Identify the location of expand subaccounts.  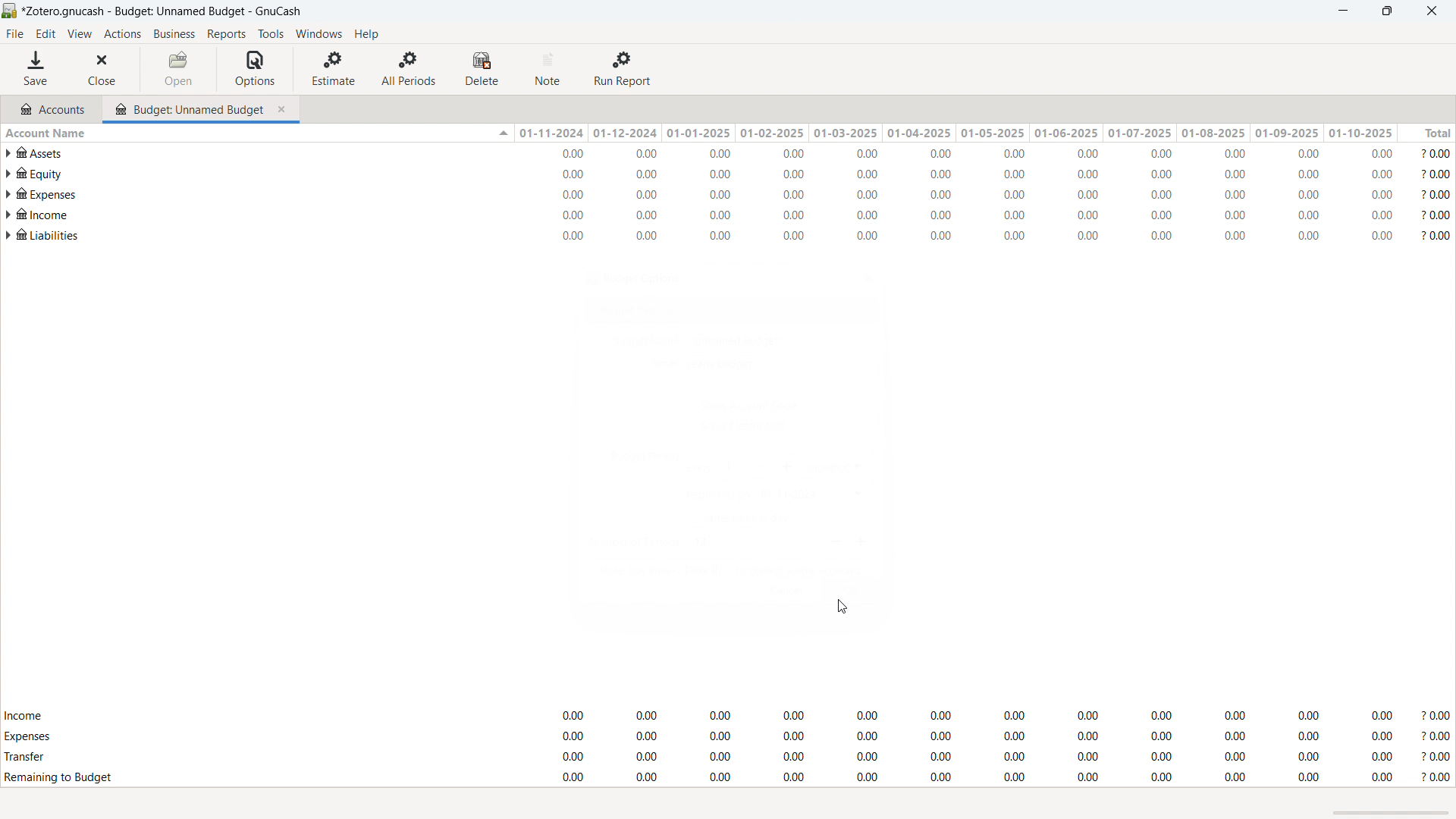
(9, 193).